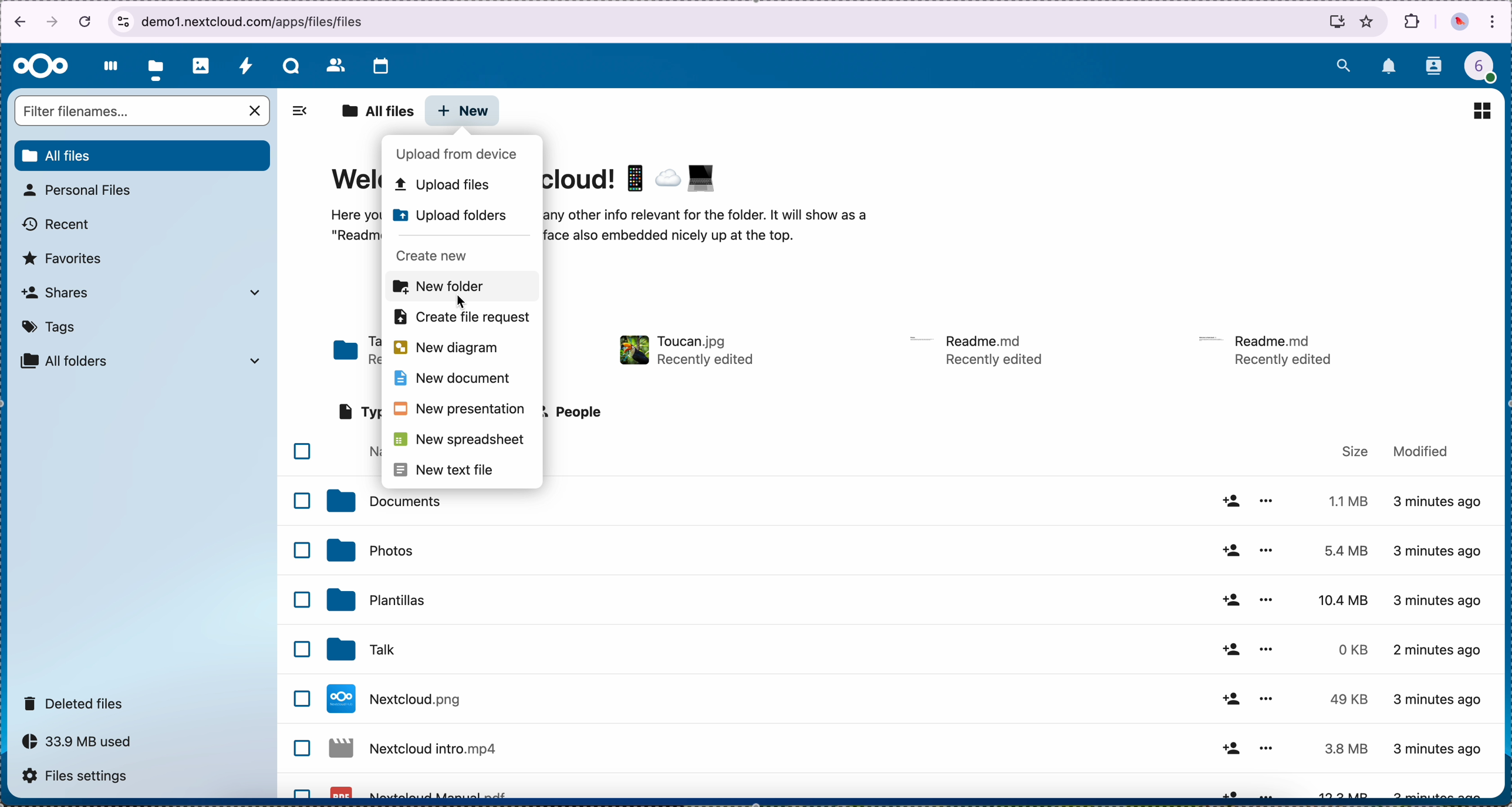 The image size is (1512, 807). I want to click on dashboard, so click(107, 66).